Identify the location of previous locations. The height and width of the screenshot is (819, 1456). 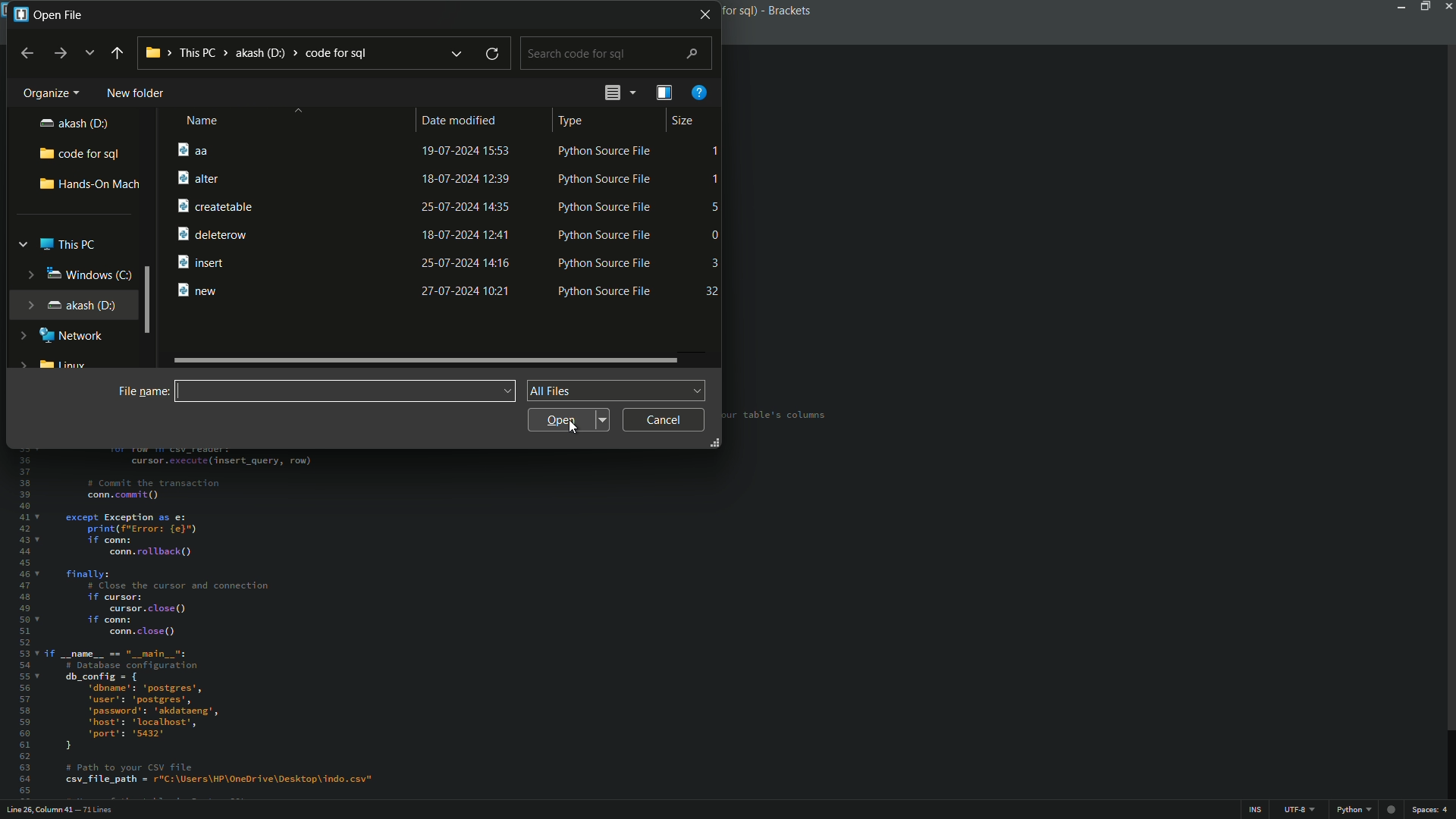
(457, 54).